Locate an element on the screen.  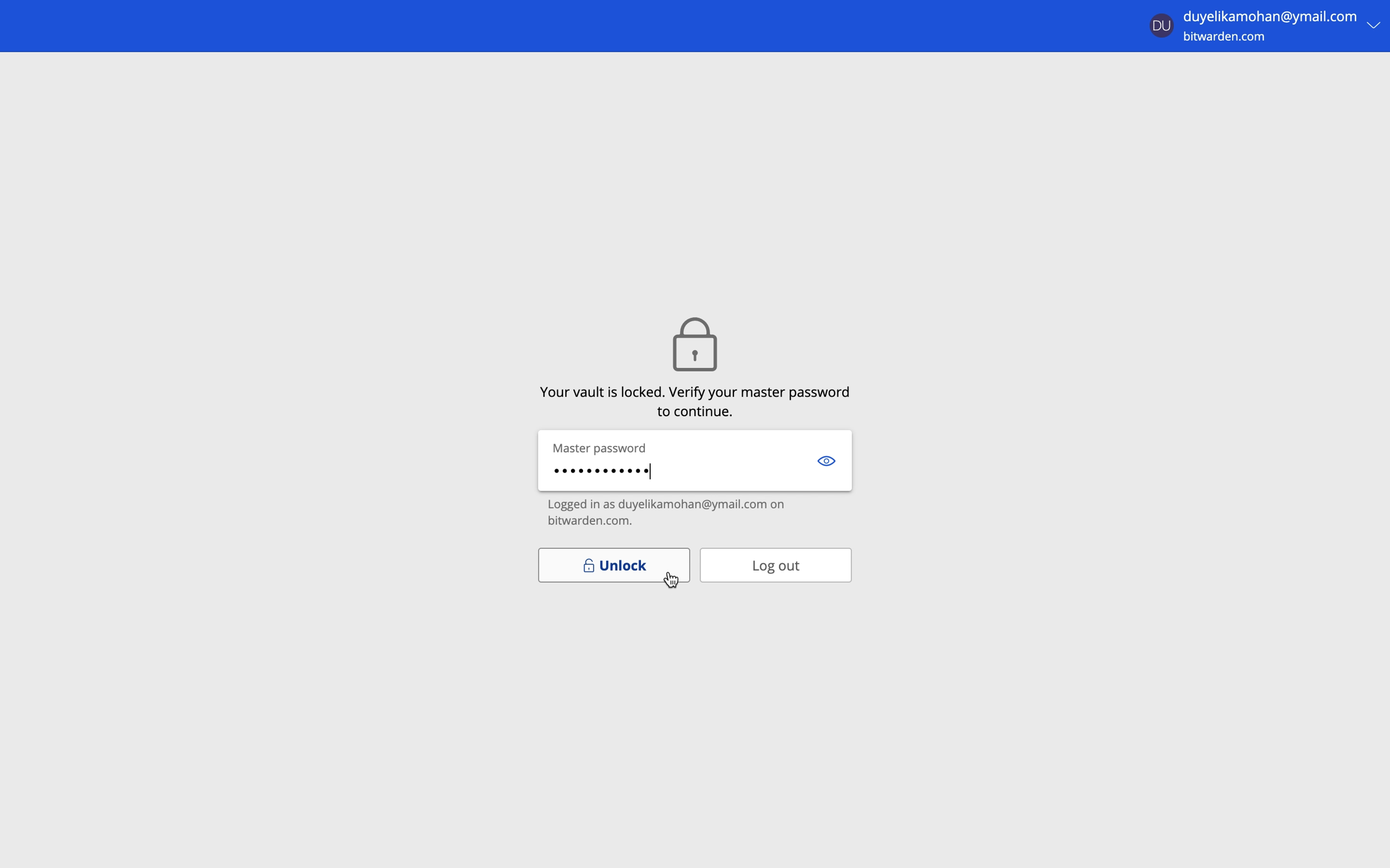
master password is located at coordinates (601, 447).